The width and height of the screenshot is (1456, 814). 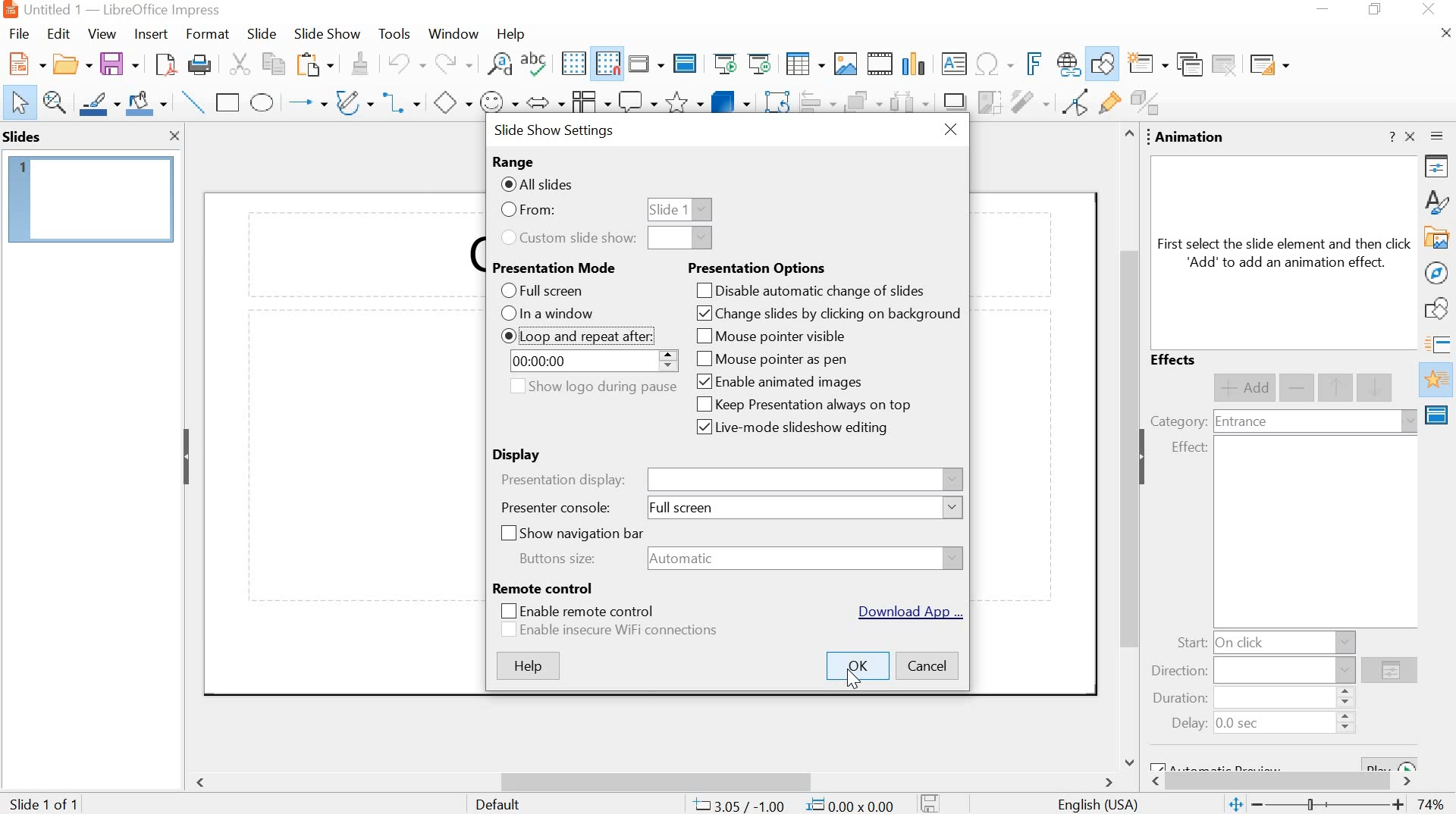 What do you see at coordinates (565, 480) in the screenshot?
I see `presentation display` at bounding box center [565, 480].